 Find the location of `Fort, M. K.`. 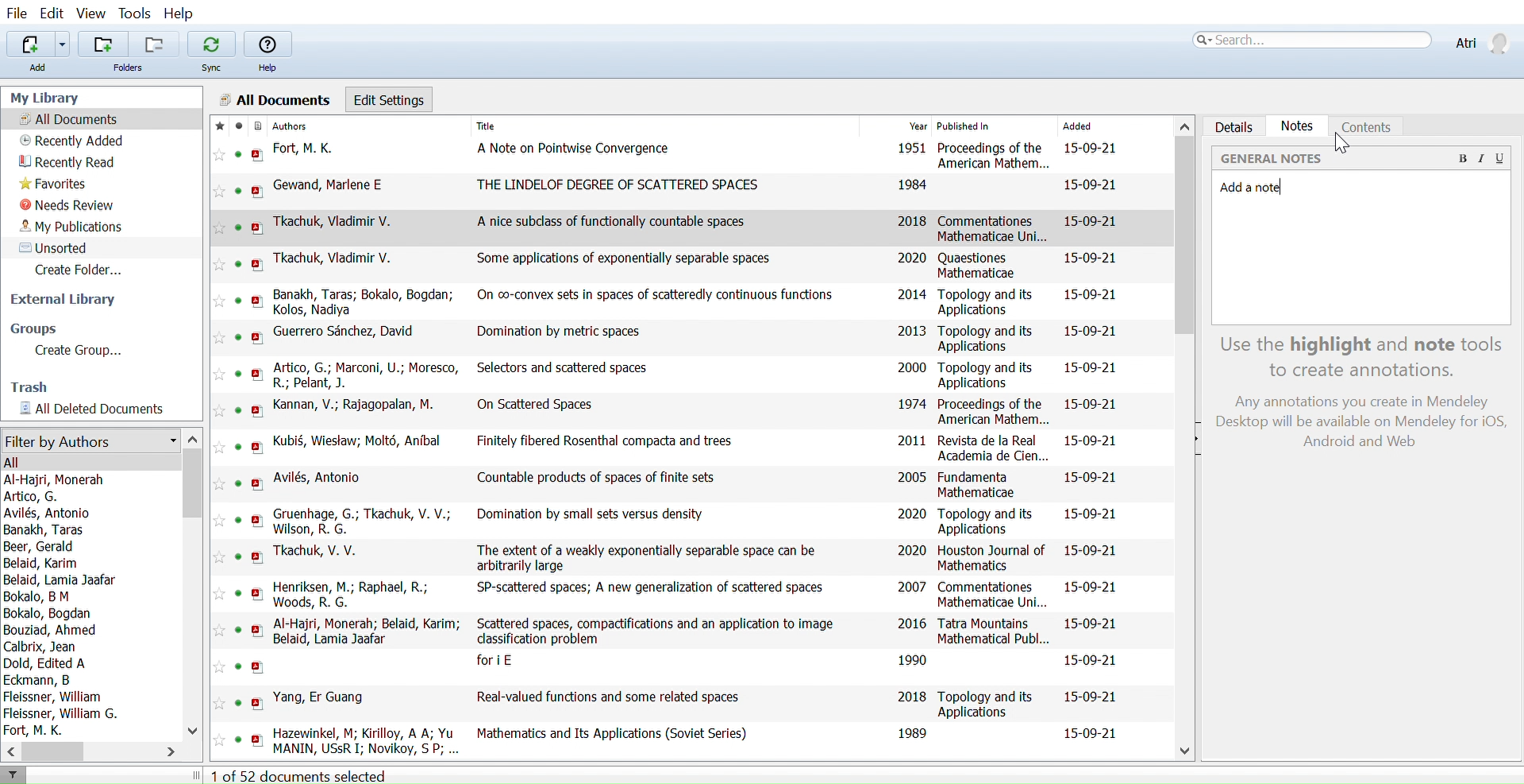

Fort, M. K. is located at coordinates (38, 730).